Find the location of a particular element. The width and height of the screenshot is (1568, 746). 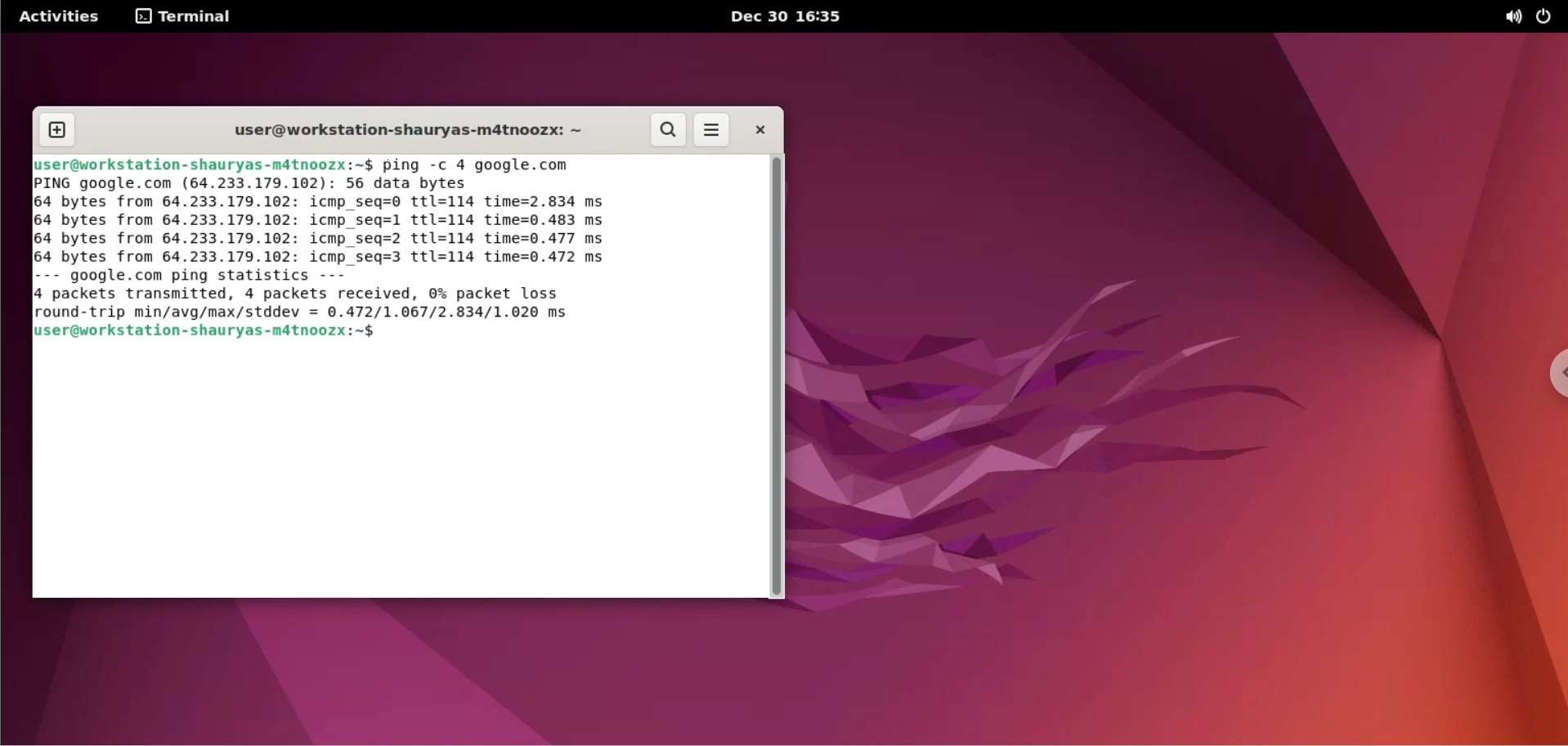

FANG google.com (049.235.179.102): O50 data Dytes

64 bytes from 64.233.179.102: icmp seq=6 ttl=114 time=2.834 ms

64 bytes from 64.233.179.102: icmp_seq=1 ttl=114 time=60.483 ms

64 bytes from 64.233.179.102: icmp seq=2 ttl=114 time=0.477 ms

64 bytes from 64.233.179.102: icmp_seq=3 ttl=114 time=6.472 ms

--- google.com ping statistics ---

4 packets transmitted, 4 packets received, 0% packet loss
round-trip min/ava/max/stddev = 0.472/1.067/2.834/1.020 ms is located at coordinates (336, 249).